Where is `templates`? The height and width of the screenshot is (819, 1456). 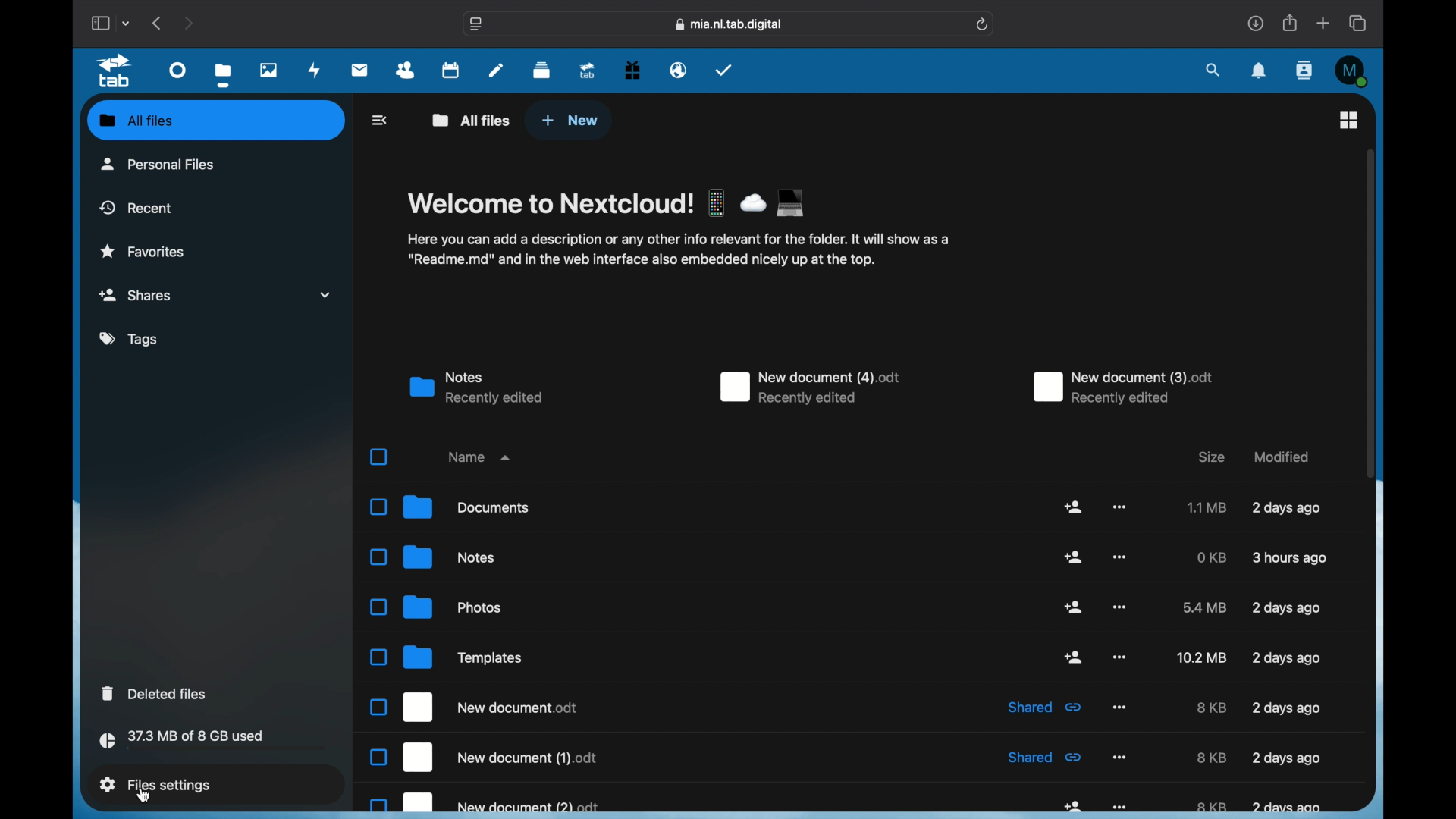
templates is located at coordinates (443, 657).